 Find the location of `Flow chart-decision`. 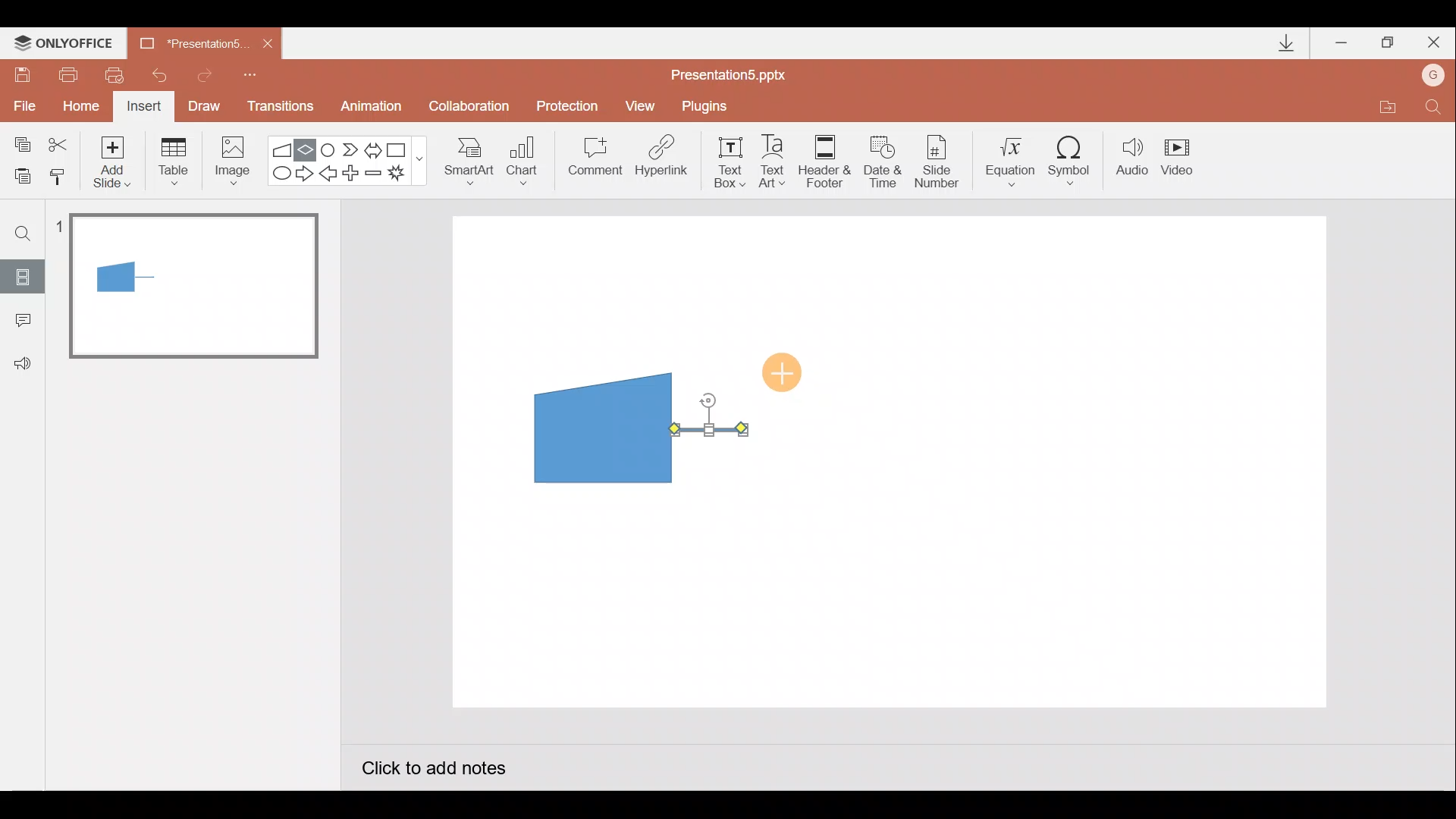

Flow chart-decision is located at coordinates (308, 149).